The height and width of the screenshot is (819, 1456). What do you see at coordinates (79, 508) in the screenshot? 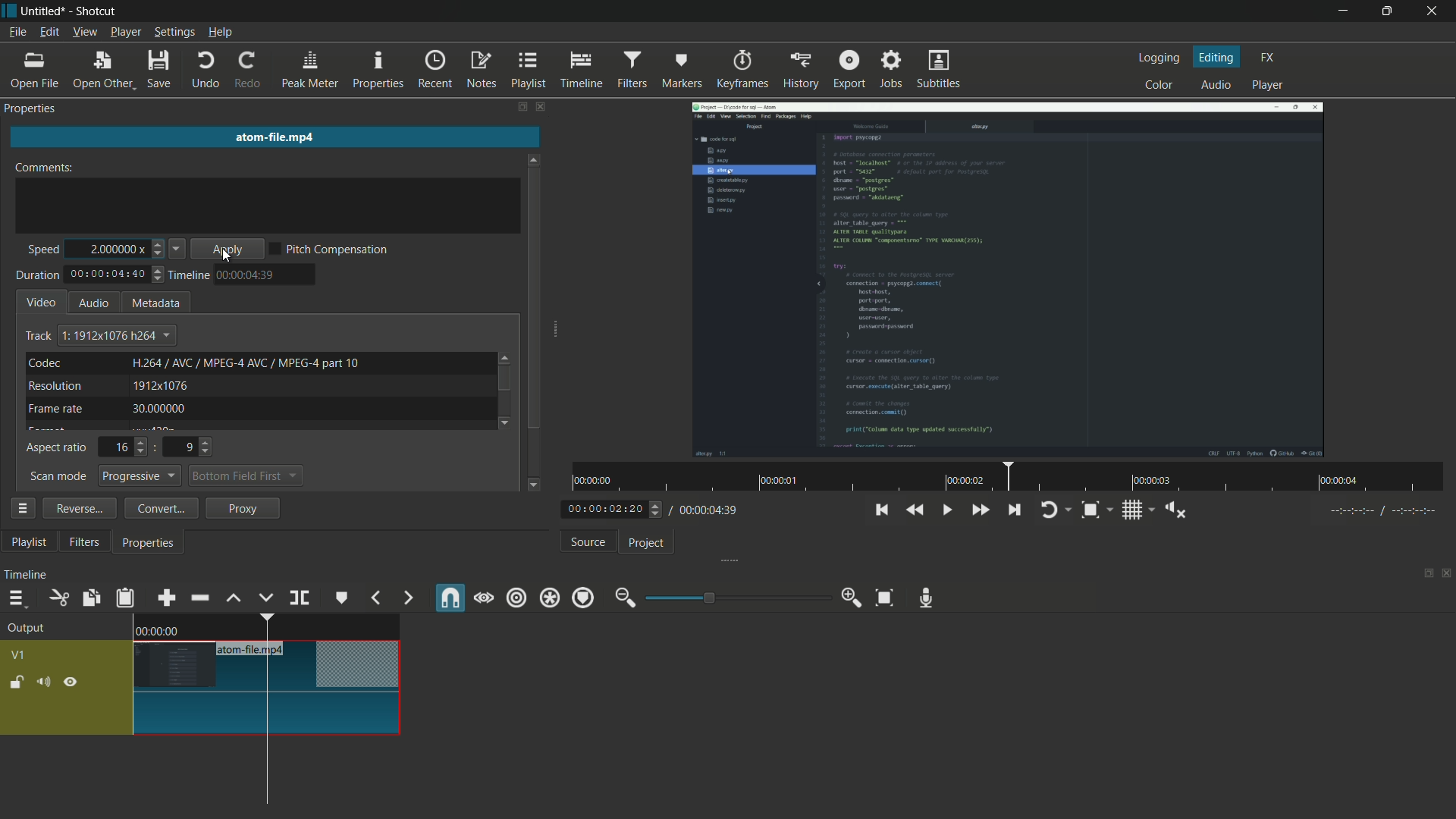
I see `reverse` at bounding box center [79, 508].